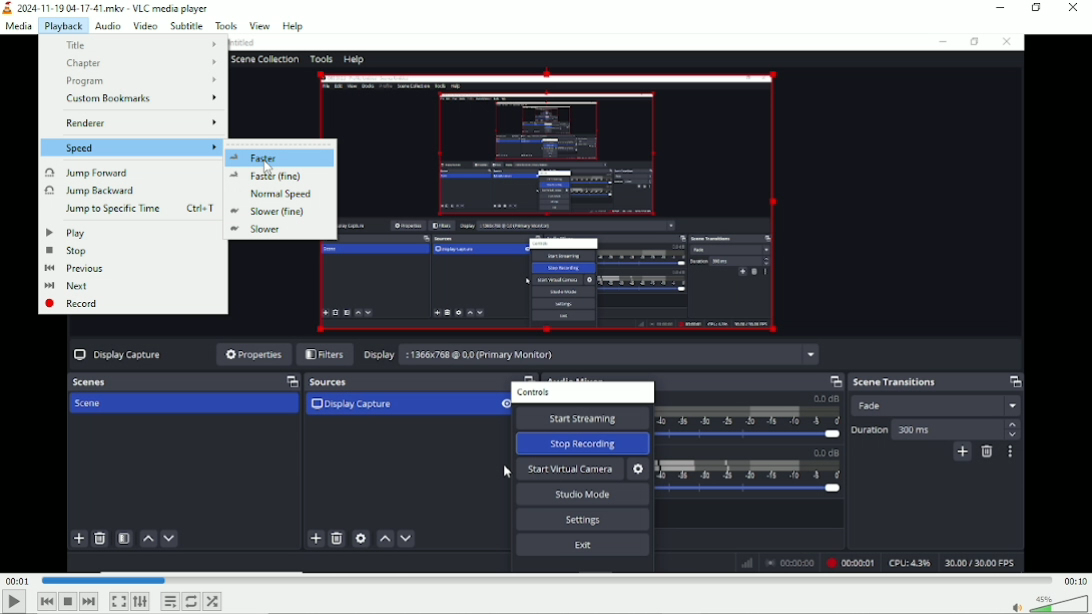 This screenshot has width=1092, height=614. Describe the element at coordinates (19, 26) in the screenshot. I see `media` at that location.